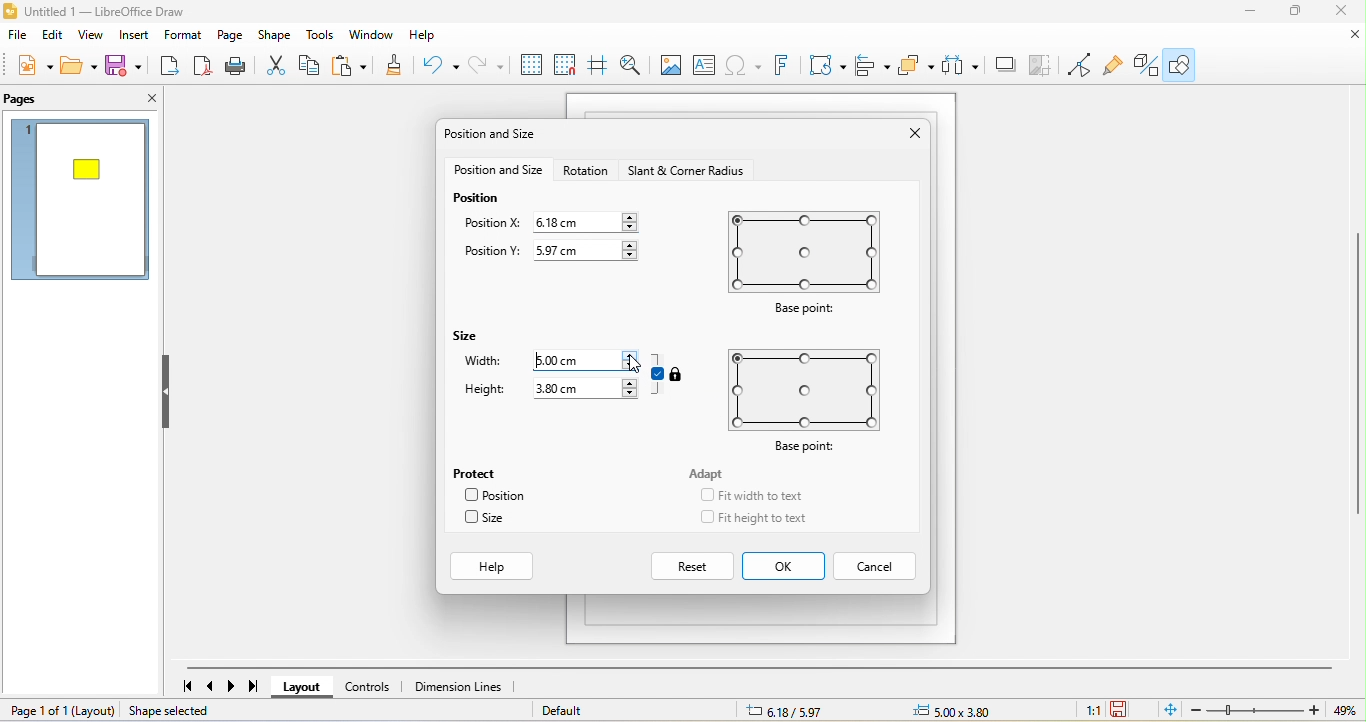  I want to click on width, so click(482, 364).